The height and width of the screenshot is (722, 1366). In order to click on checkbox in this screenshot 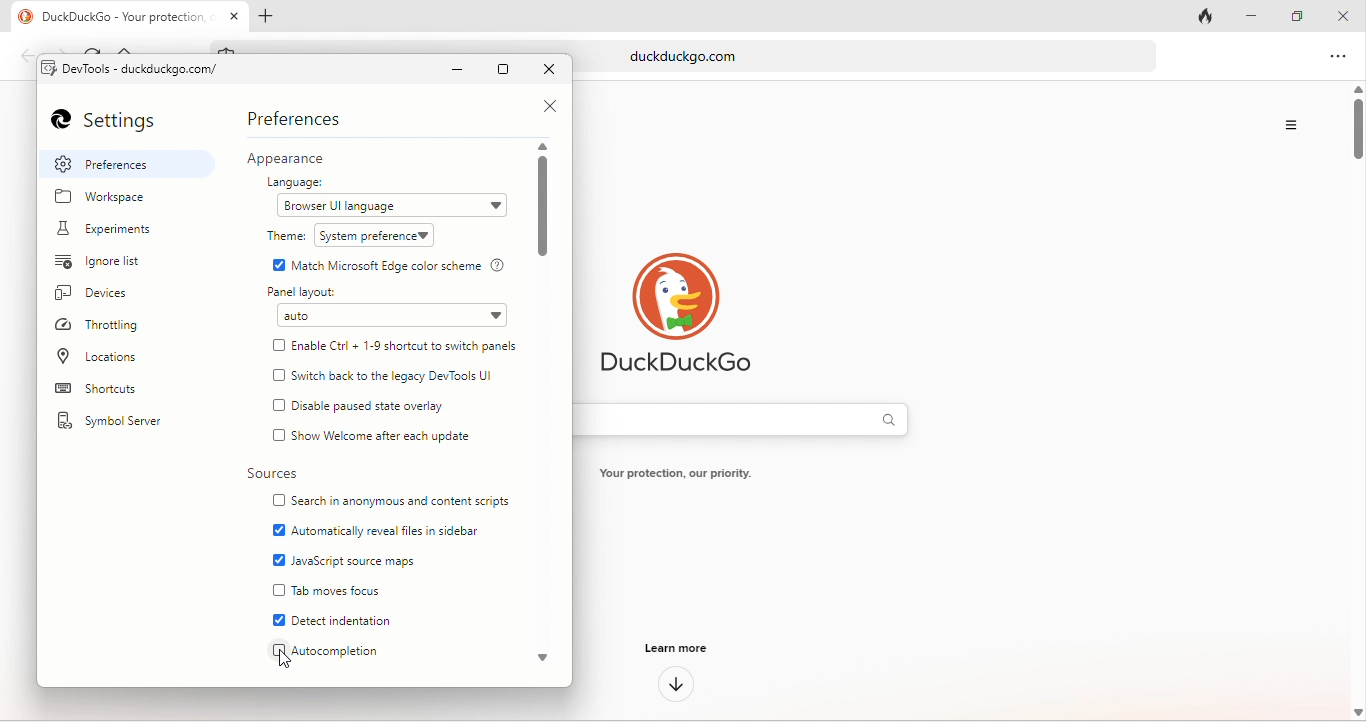, I will do `click(278, 346)`.